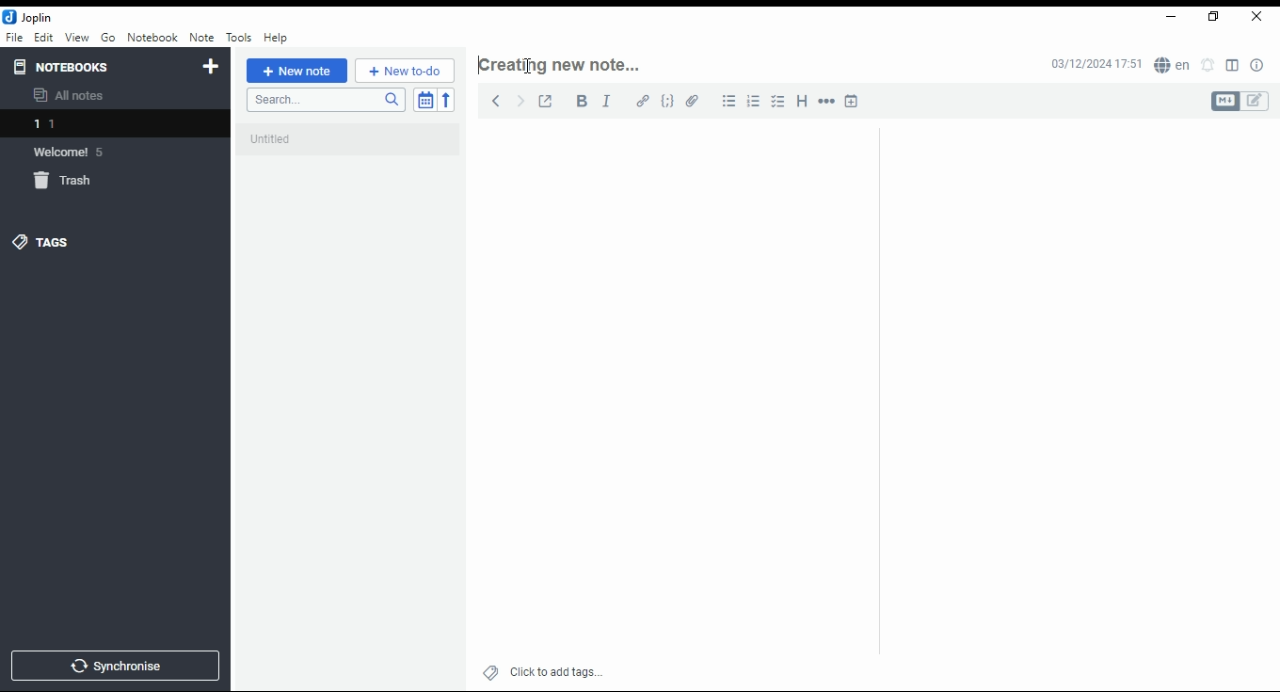  What do you see at coordinates (1256, 16) in the screenshot?
I see `close ` at bounding box center [1256, 16].